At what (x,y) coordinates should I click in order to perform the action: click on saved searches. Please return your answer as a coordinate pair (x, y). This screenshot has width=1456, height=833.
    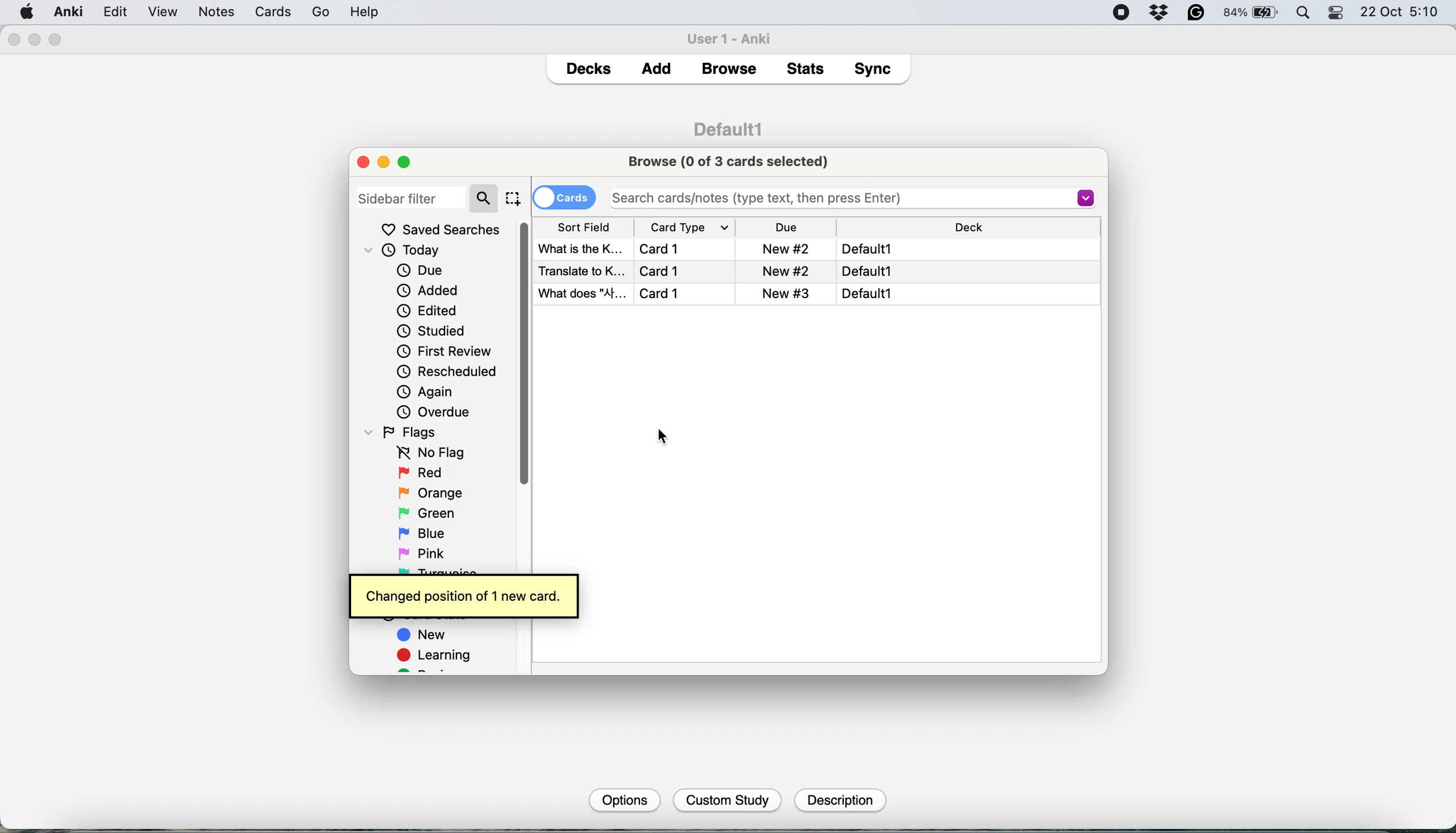
    Looking at the image, I should click on (441, 229).